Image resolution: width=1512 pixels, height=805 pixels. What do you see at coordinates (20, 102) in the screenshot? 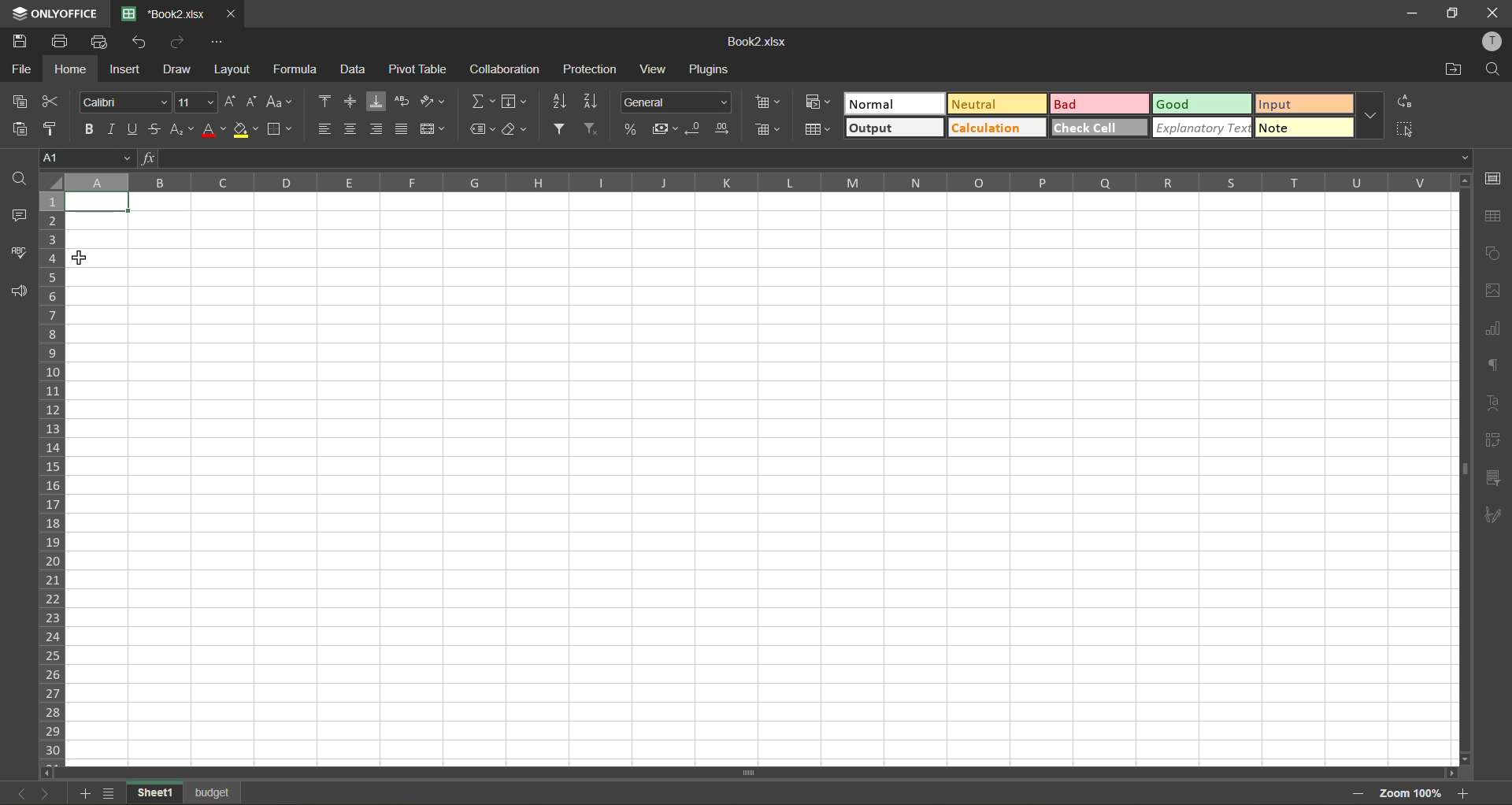
I see `copy` at bounding box center [20, 102].